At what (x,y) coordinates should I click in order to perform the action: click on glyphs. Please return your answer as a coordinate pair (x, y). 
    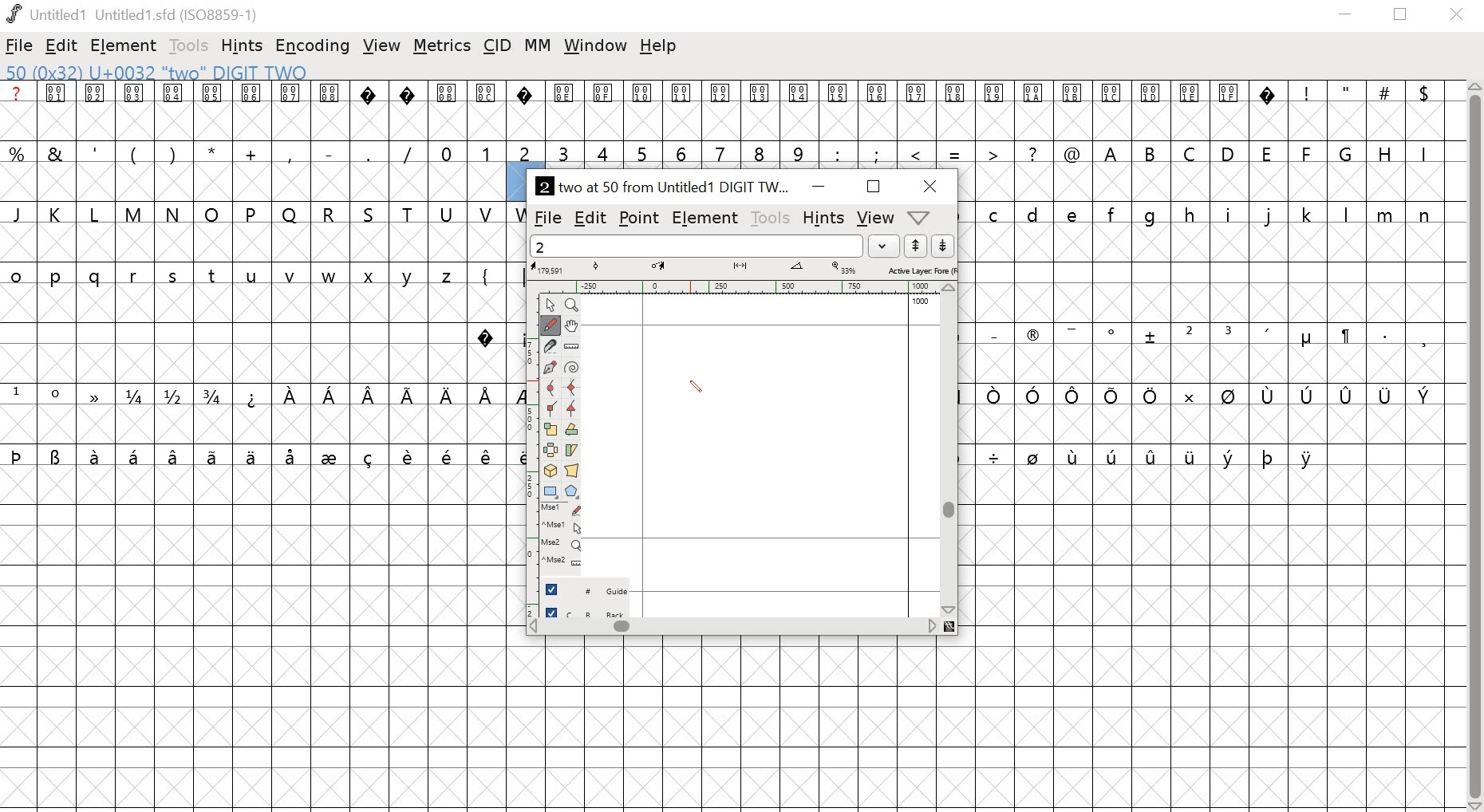
    Looking at the image, I should click on (259, 445).